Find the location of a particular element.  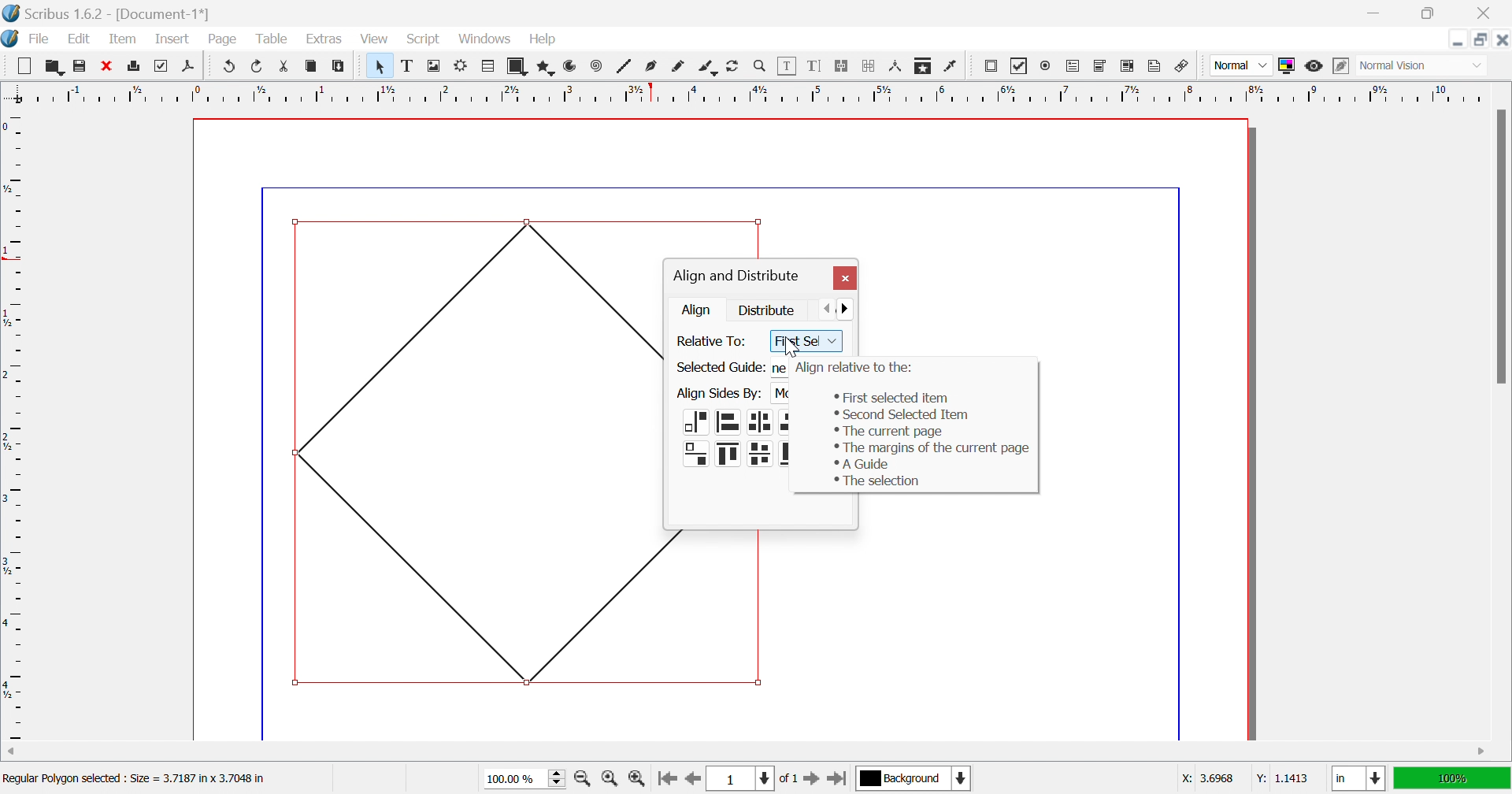

Table is located at coordinates (489, 67).